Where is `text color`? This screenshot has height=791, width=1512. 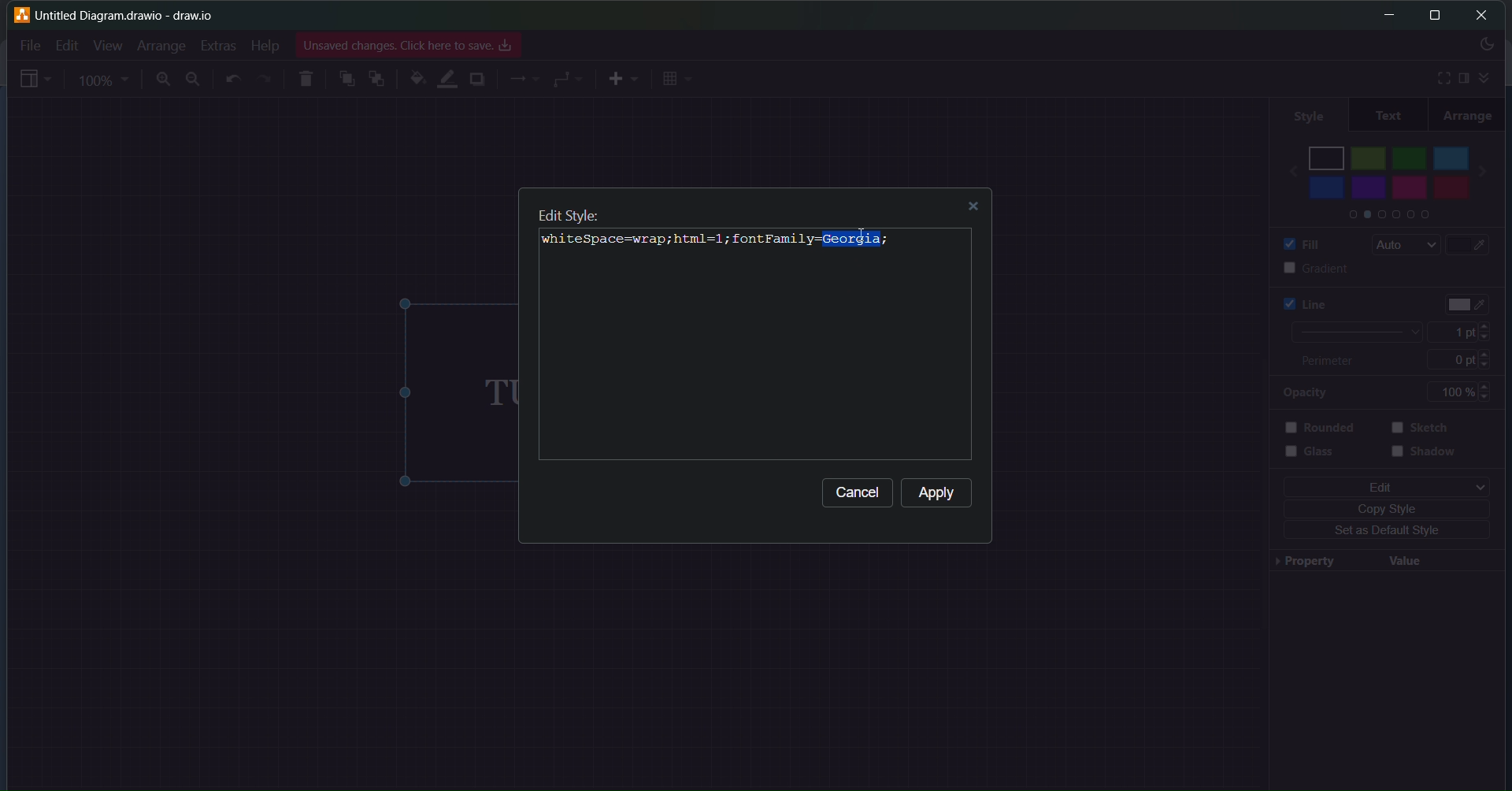
text color is located at coordinates (1469, 300).